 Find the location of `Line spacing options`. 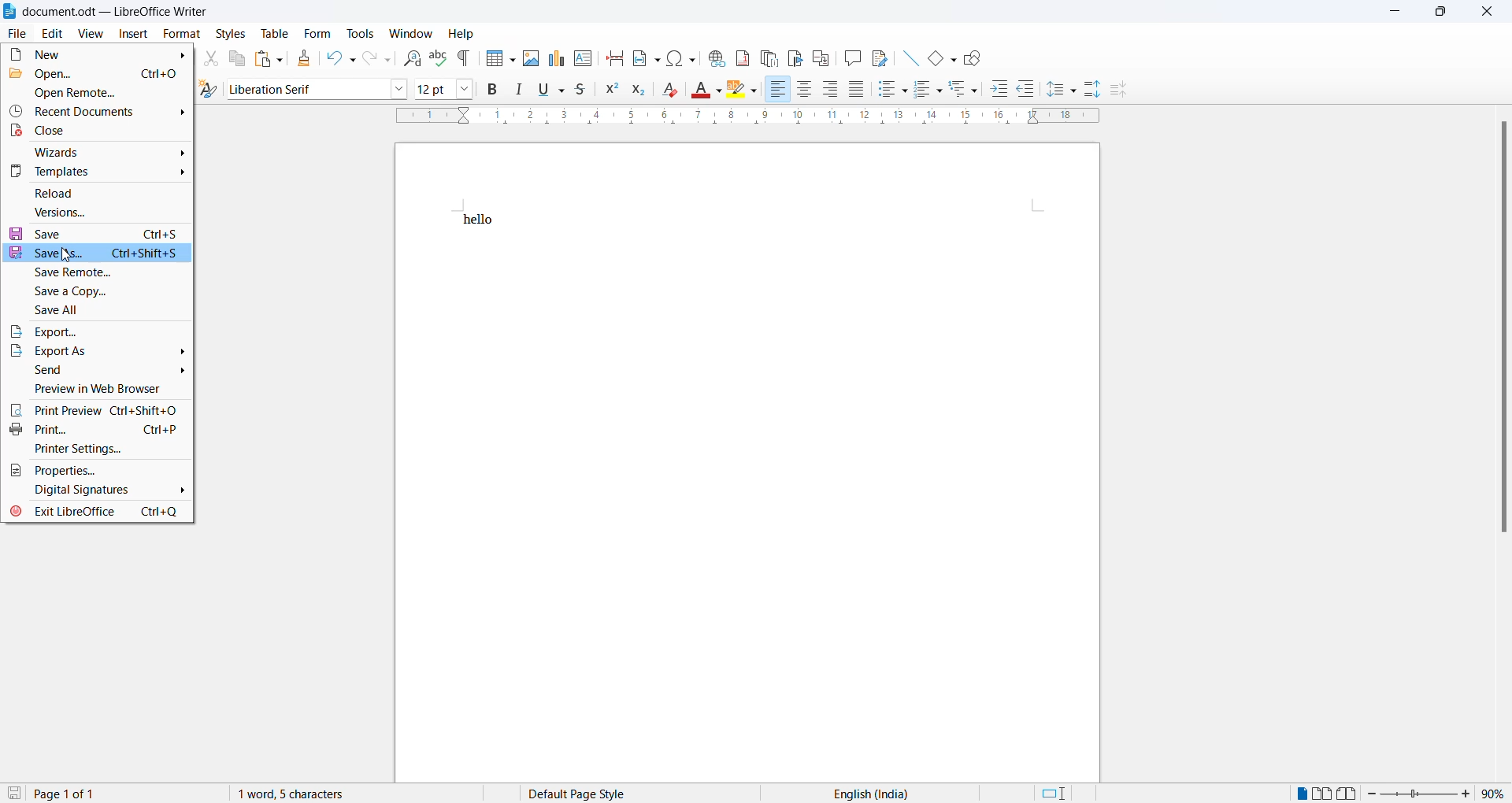

Line spacing options is located at coordinates (1062, 91).